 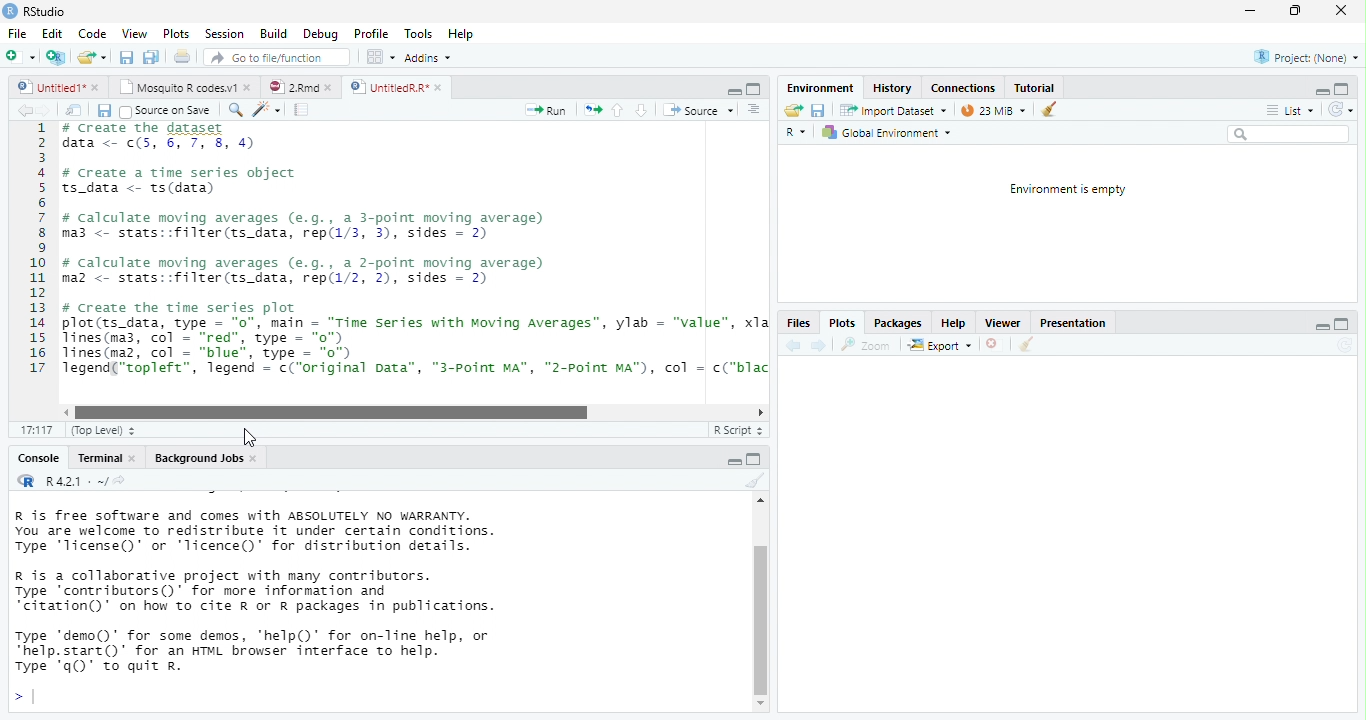 What do you see at coordinates (1002, 323) in the screenshot?
I see `Viewer` at bounding box center [1002, 323].